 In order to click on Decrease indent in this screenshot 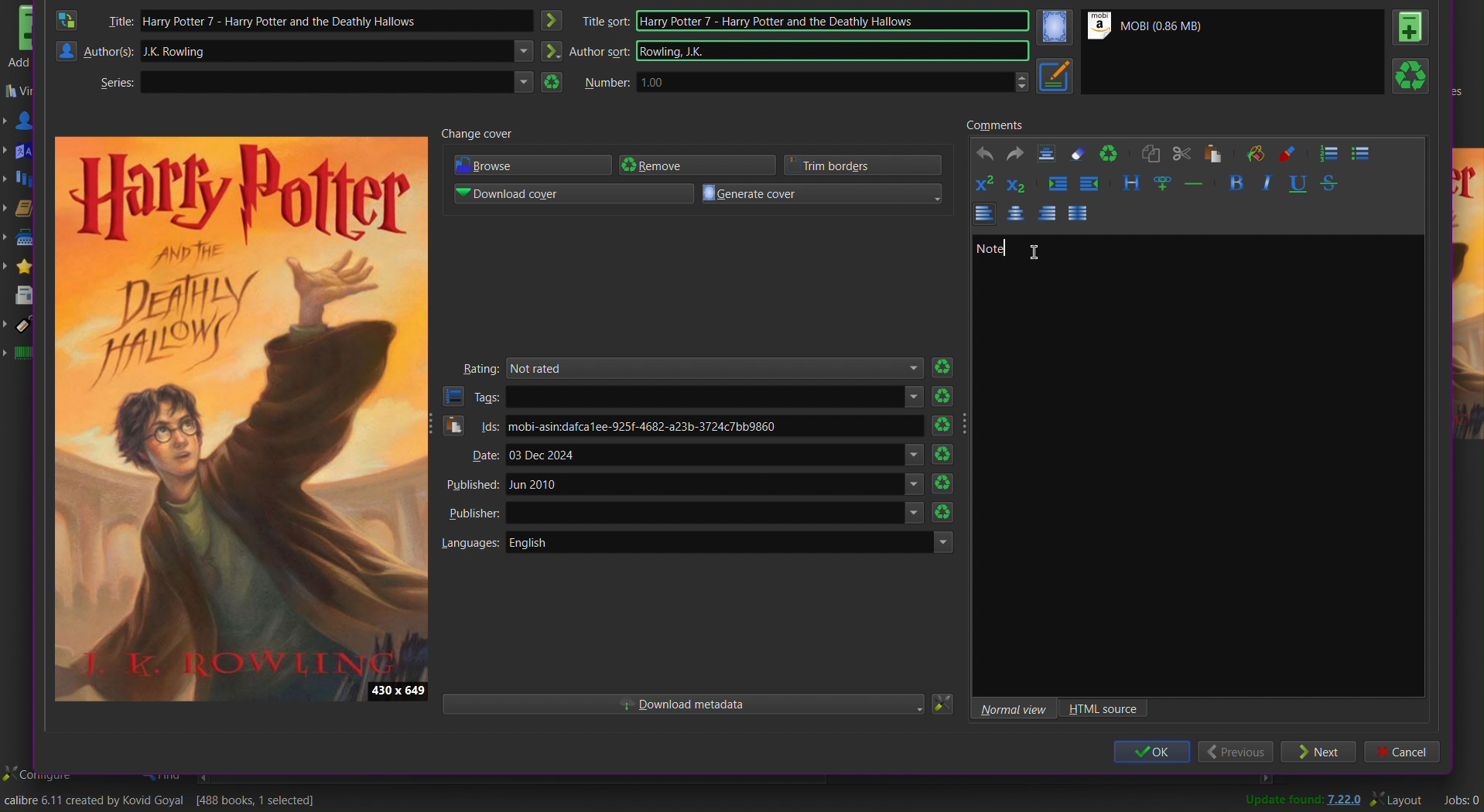, I will do `click(1089, 184)`.